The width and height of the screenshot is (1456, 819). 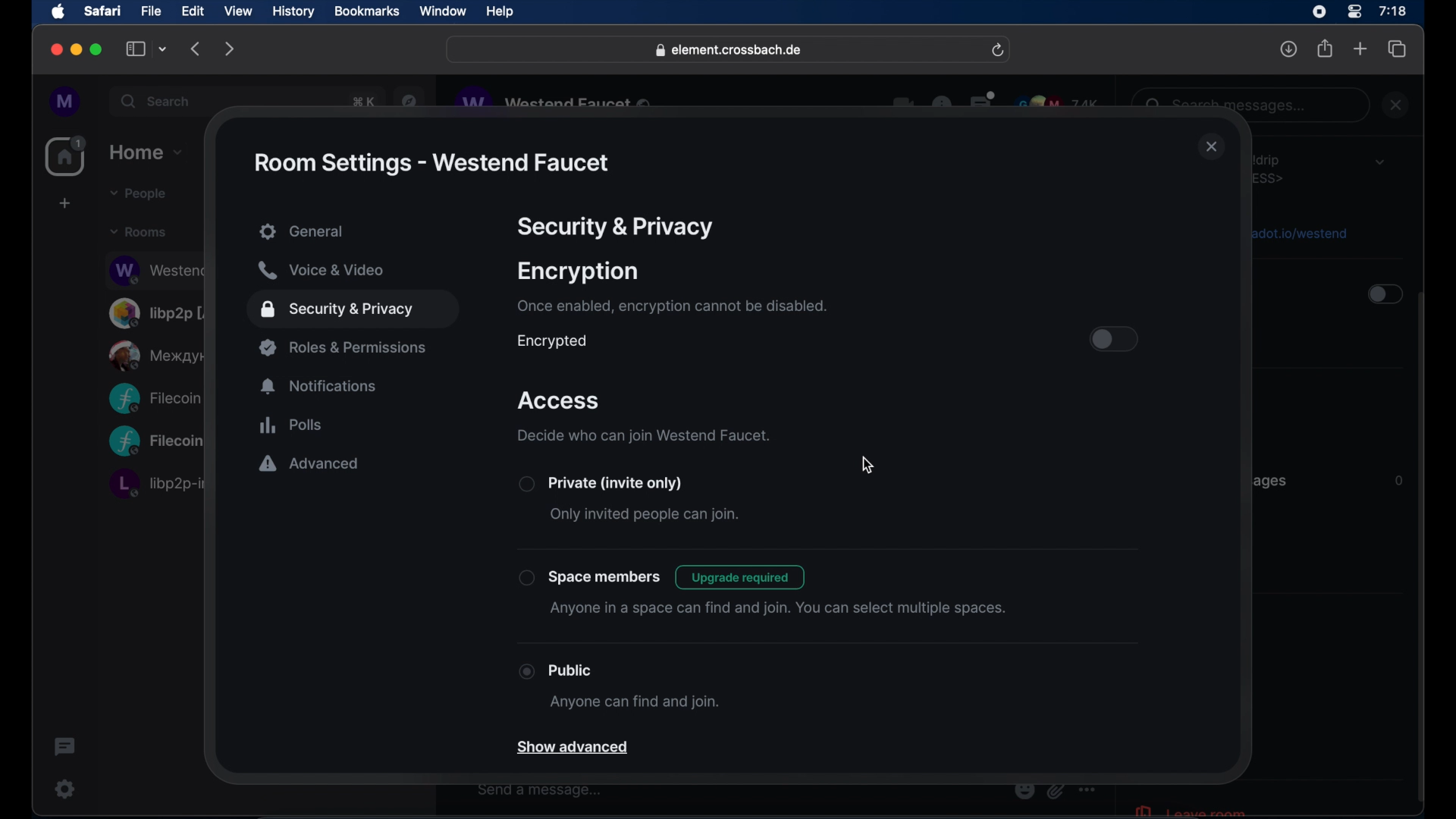 What do you see at coordinates (146, 152) in the screenshot?
I see `home dropdown` at bounding box center [146, 152].